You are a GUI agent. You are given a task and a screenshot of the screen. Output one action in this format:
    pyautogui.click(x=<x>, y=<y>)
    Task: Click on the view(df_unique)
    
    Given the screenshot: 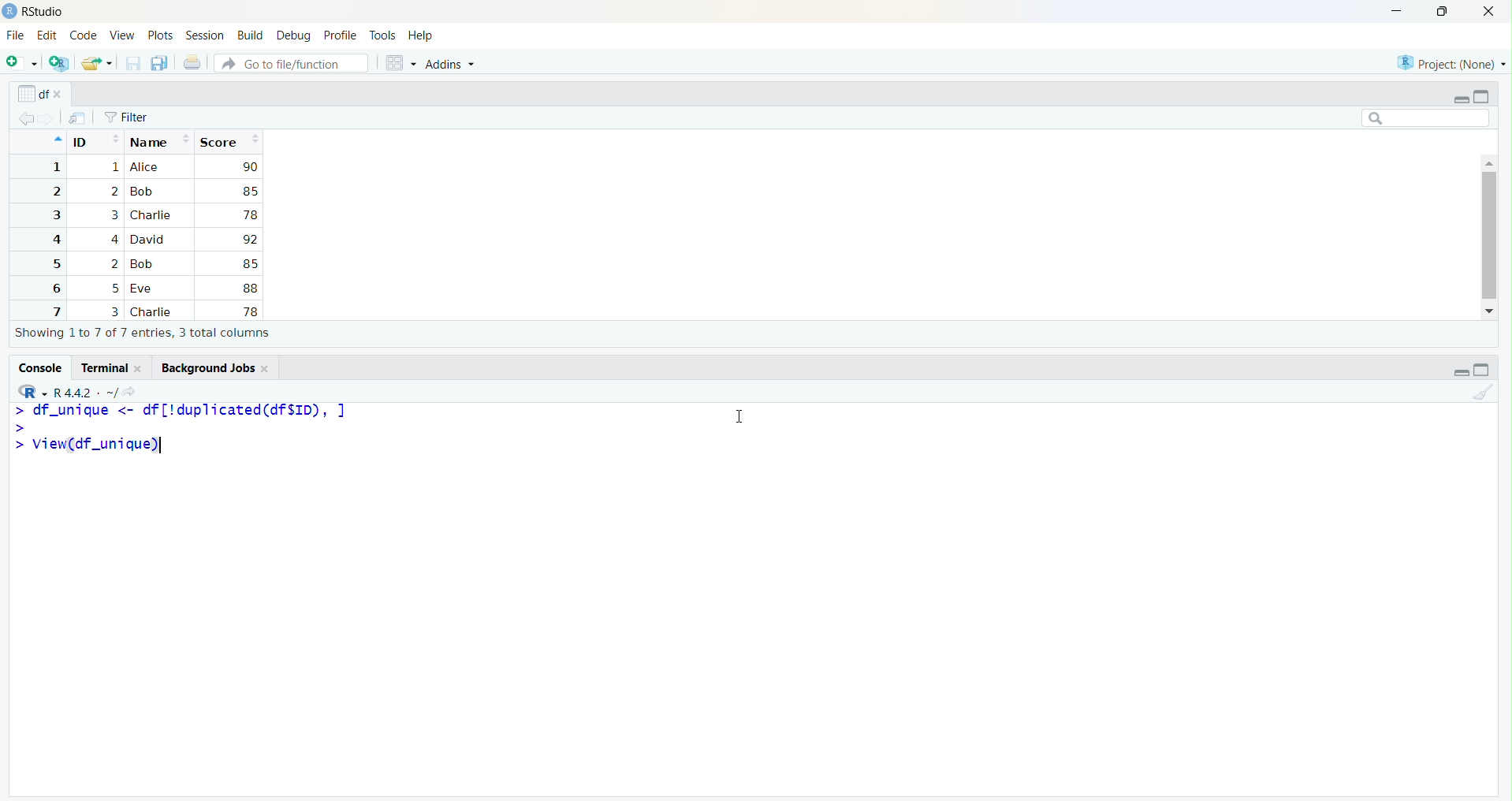 What is the action you would take?
    pyautogui.click(x=99, y=445)
    